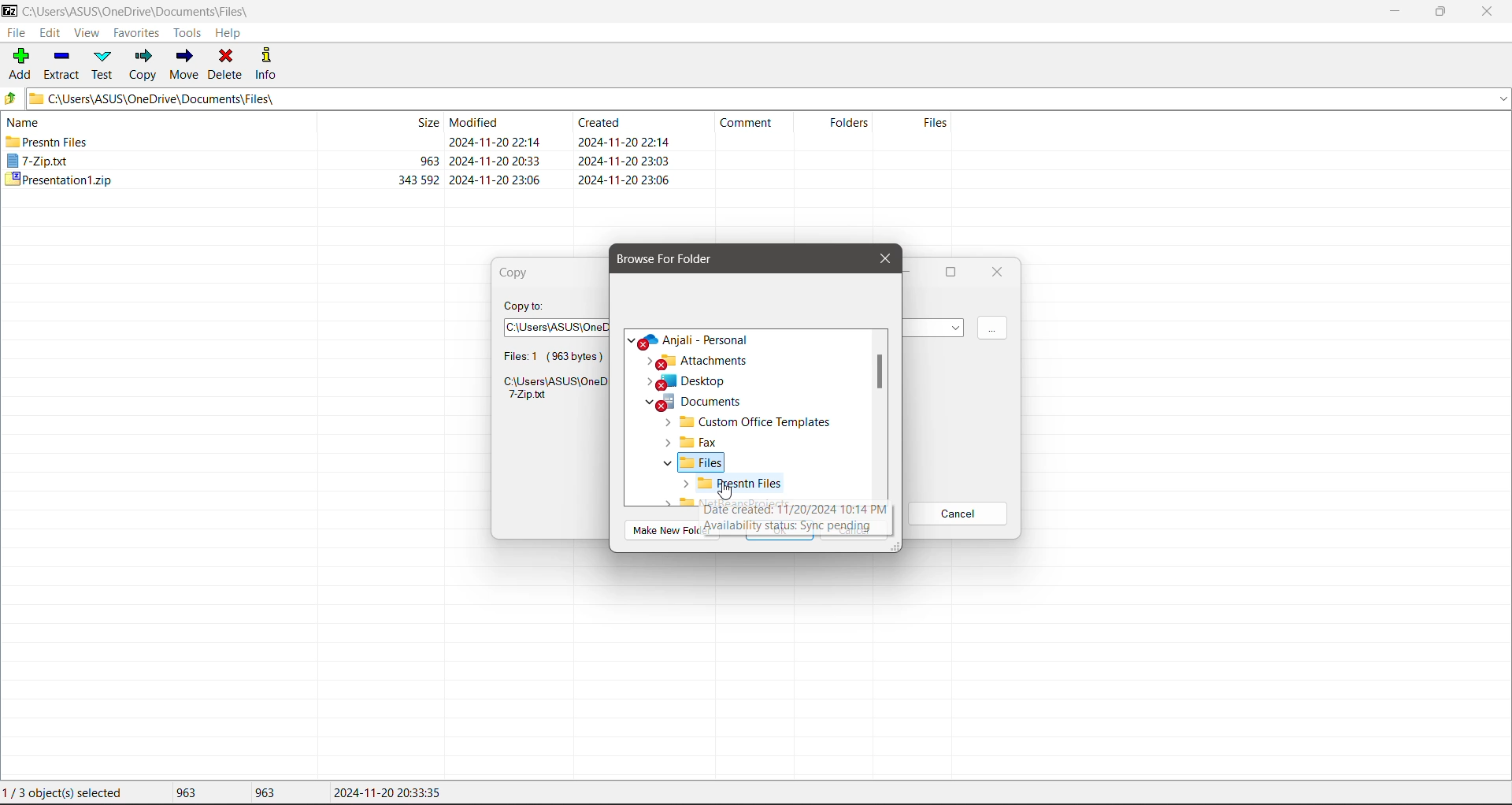  What do you see at coordinates (736, 480) in the screenshot?
I see `Selected Folder` at bounding box center [736, 480].